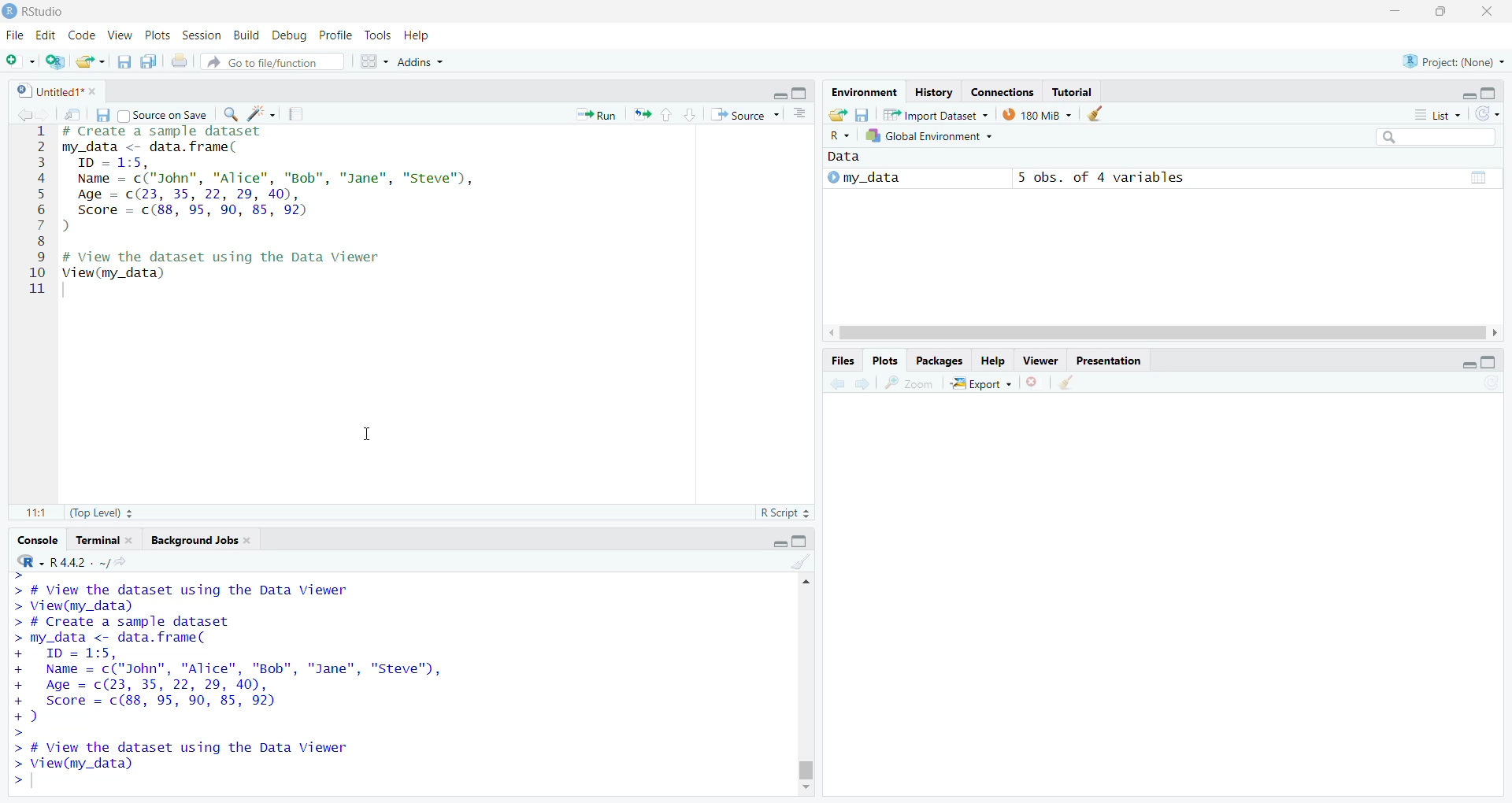 This screenshot has width=1512, height=803. Describe the element at coordinates (935, 115) in the screenshot. I see `Import Dataset` at that location.